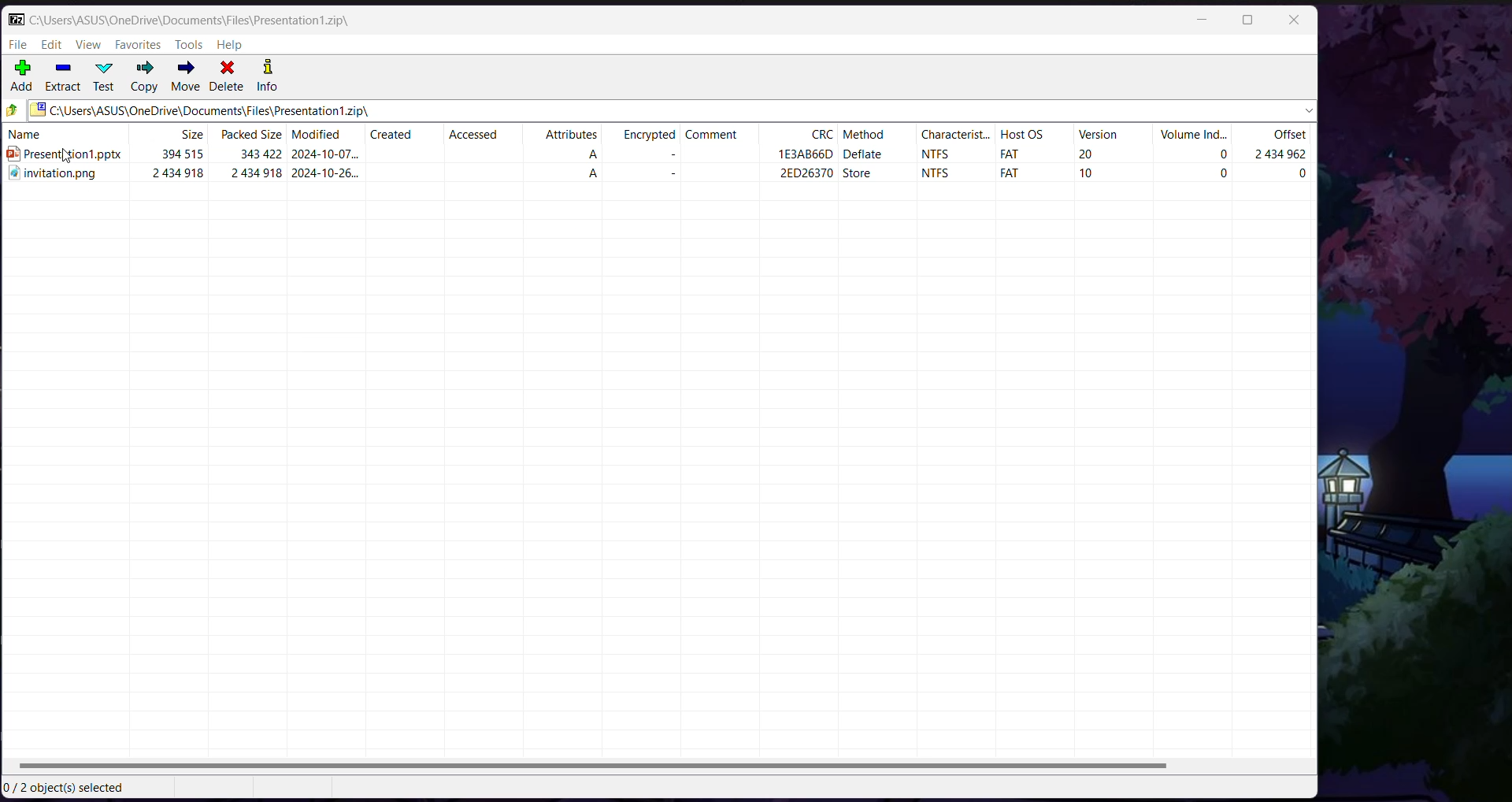 This screenshot has width=1512, height=802. Describe the element at coordinates (1088, 154) in the screenshot. I see `20` at that location.